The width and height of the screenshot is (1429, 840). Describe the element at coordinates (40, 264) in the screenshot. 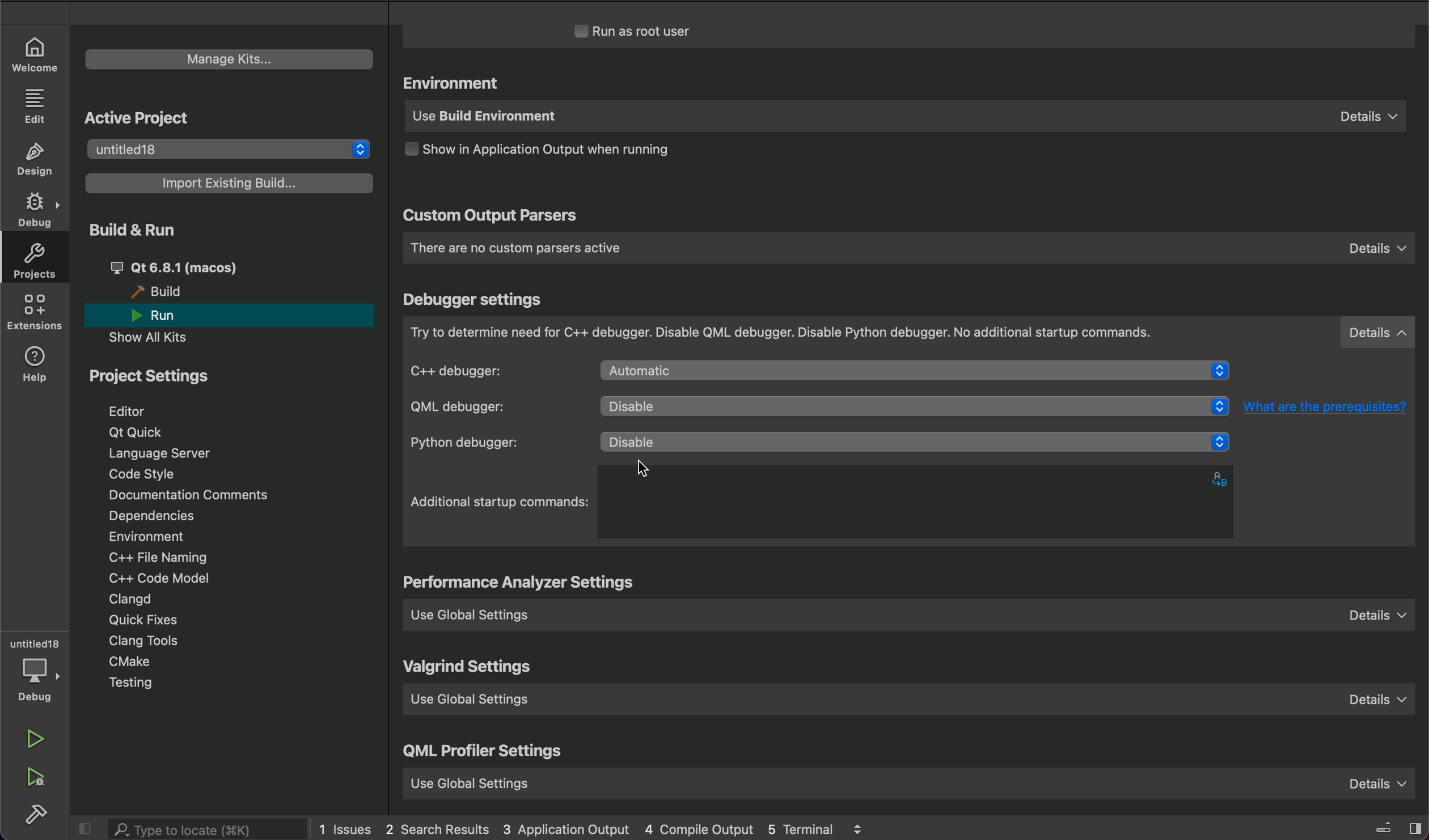

I see `projects` at that location.